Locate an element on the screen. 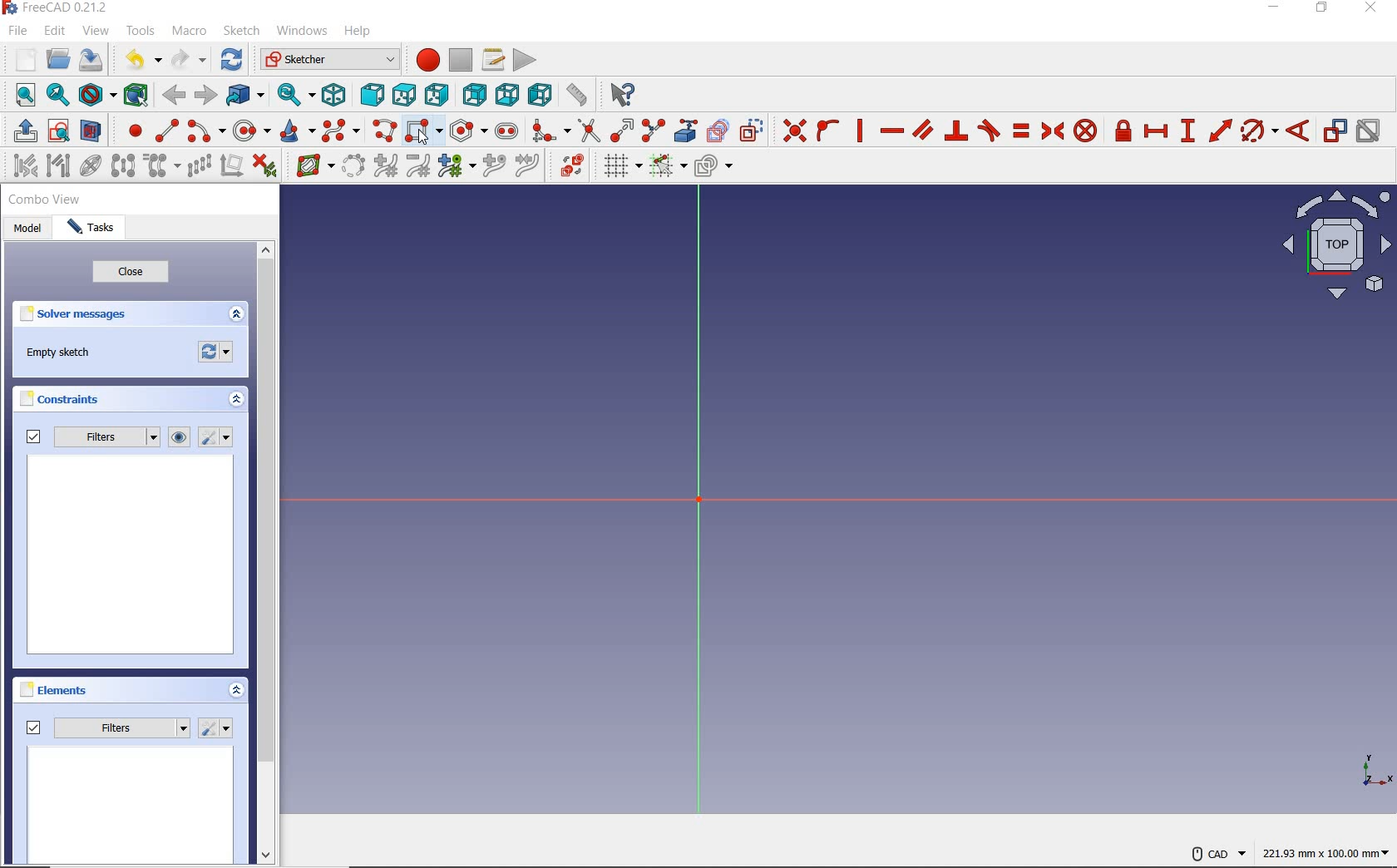  leave sketch is located at coordinates (21, 131).